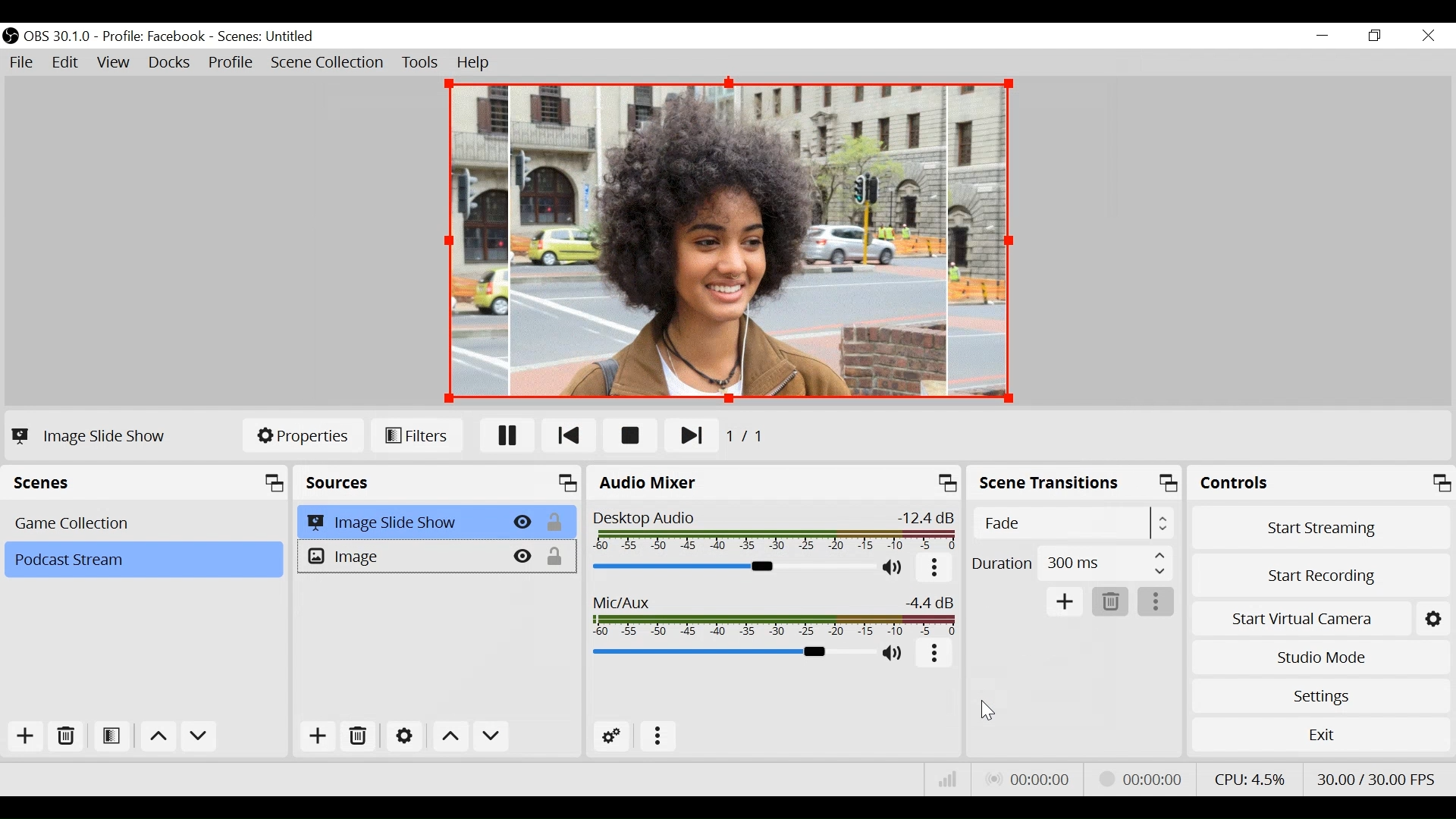  I want to click on Sources, so click(440, 483).